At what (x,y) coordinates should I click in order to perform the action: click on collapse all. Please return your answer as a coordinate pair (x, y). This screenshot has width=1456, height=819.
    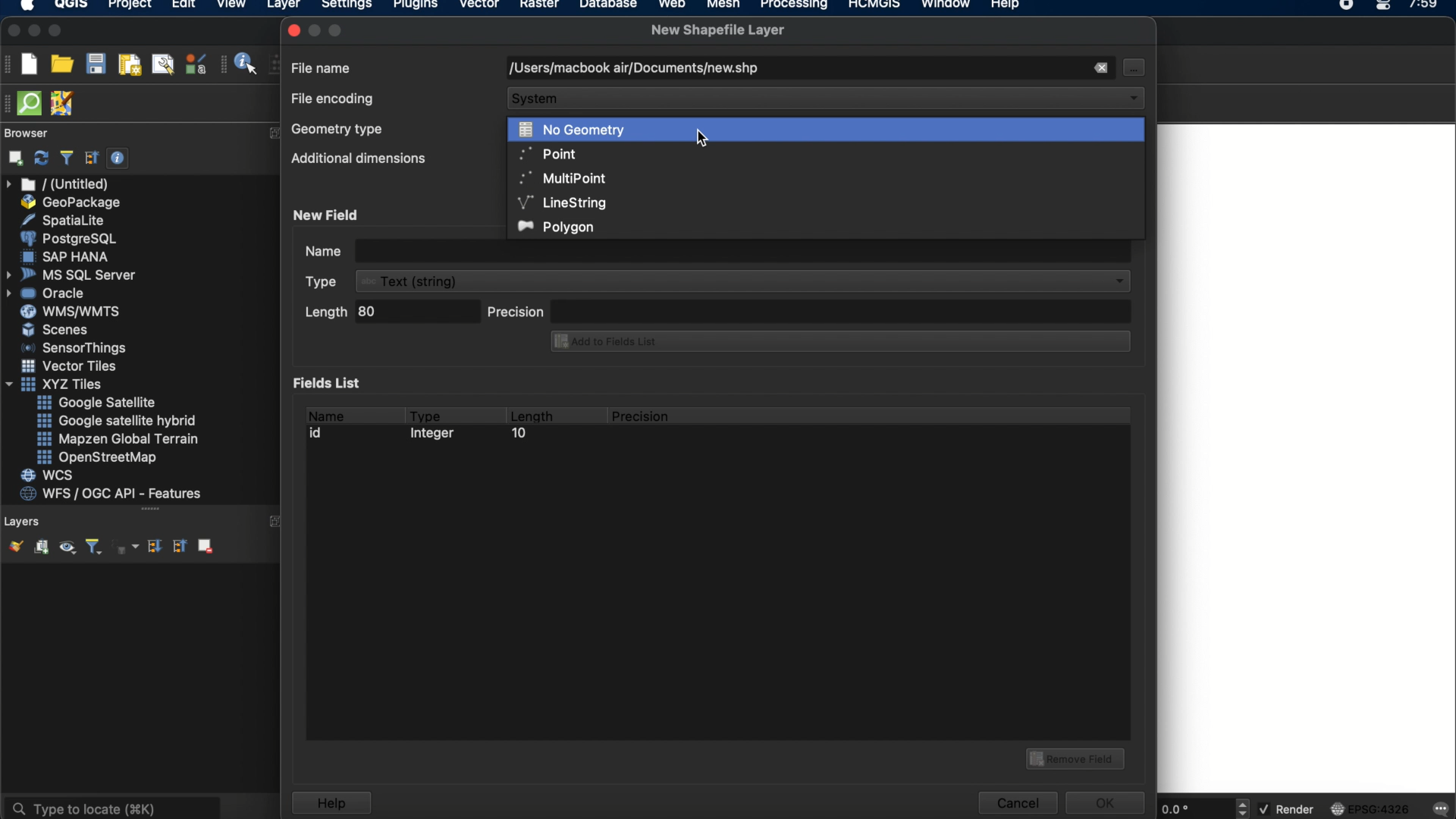
    Looking at the image, I should click on (92, 158).